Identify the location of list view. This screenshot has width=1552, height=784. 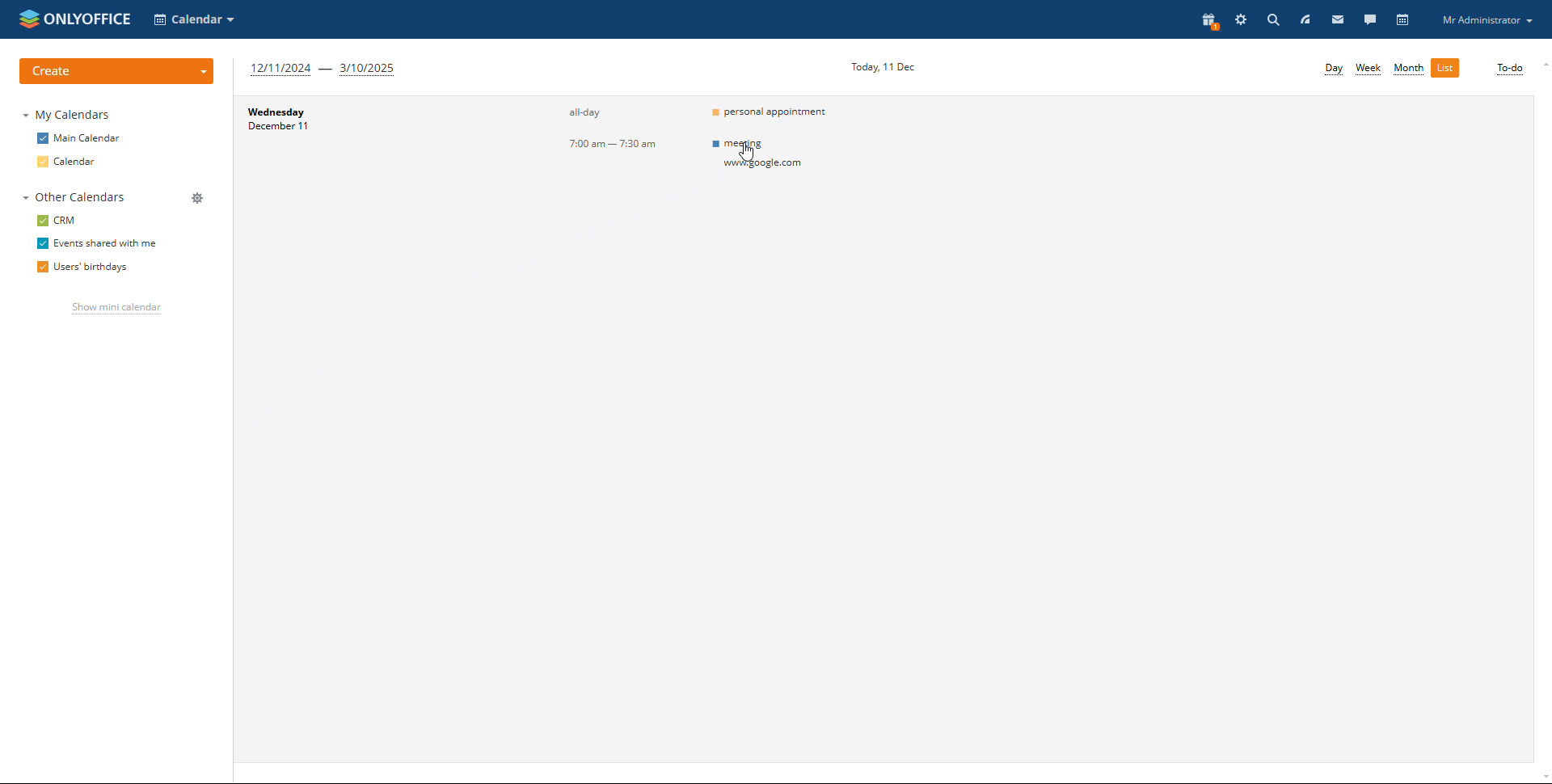
(1444, 68).